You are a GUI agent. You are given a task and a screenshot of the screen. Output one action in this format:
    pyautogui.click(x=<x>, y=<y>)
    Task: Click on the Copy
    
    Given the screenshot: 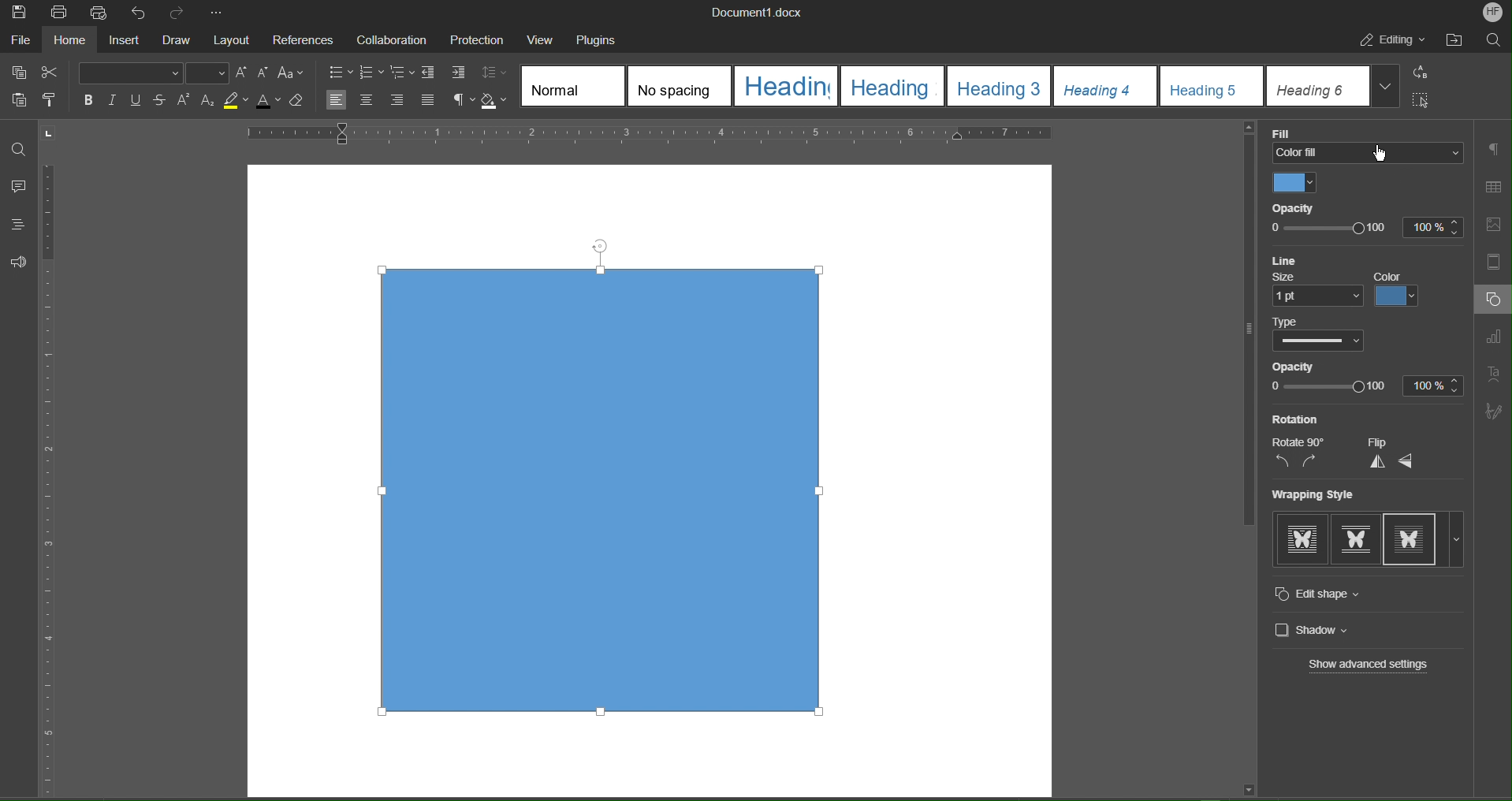 What is the action you would take?
    pyautogui.click(x=18, y=73)
    